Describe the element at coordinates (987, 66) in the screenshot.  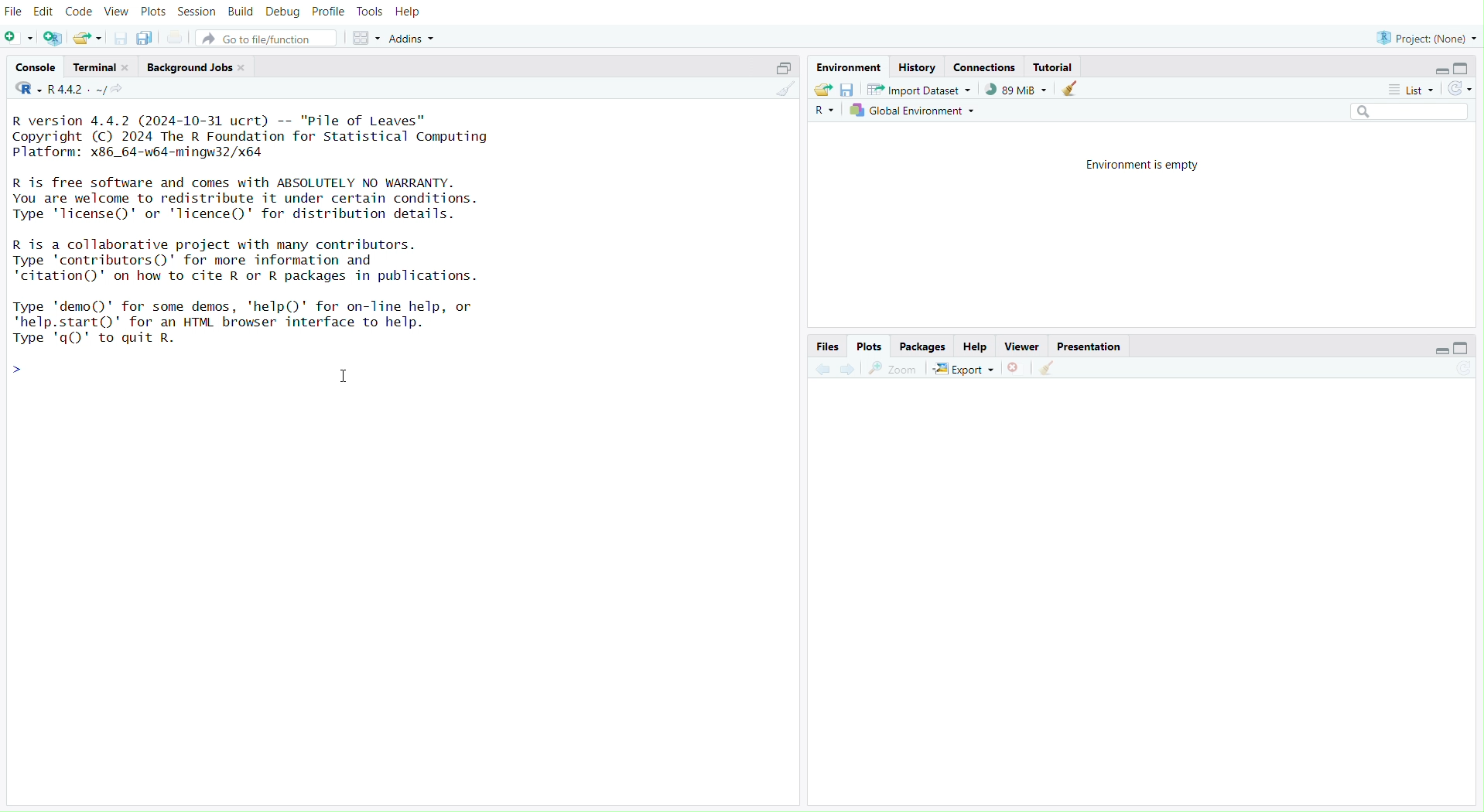
I see `Connections` at that location.